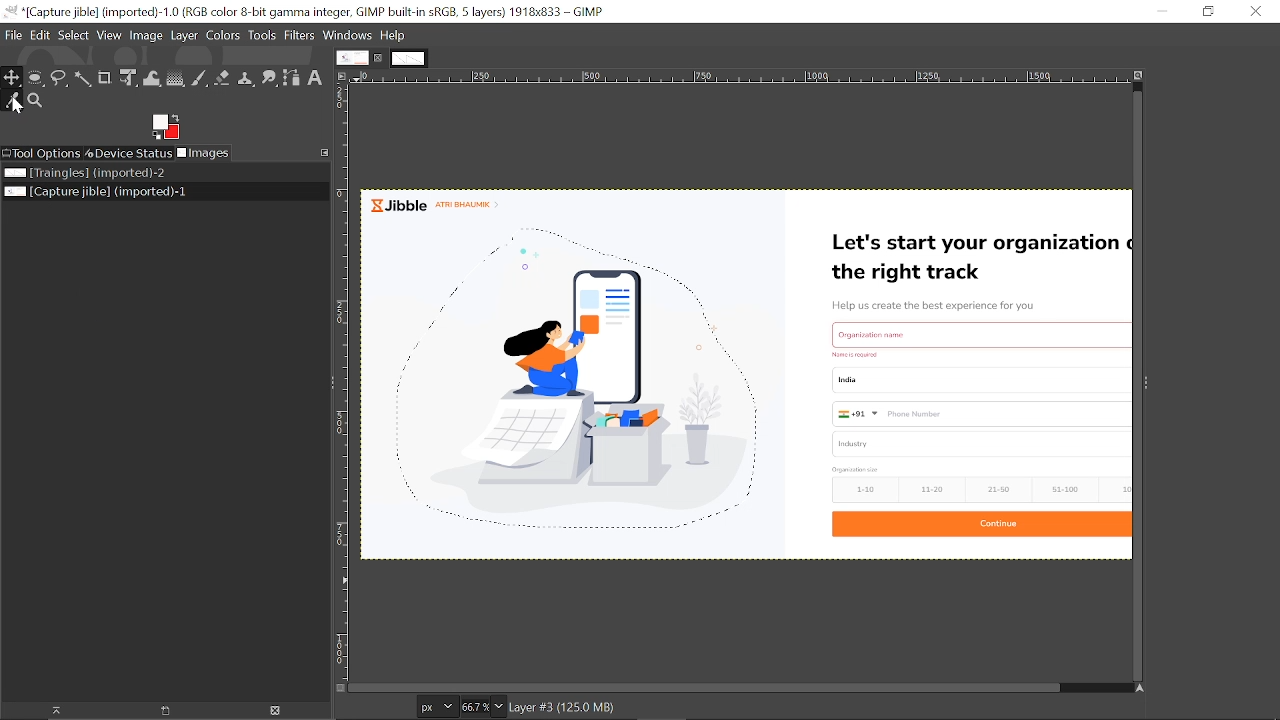 This screenshot has width=1280, height=720. Describe the element at coordinates (737, 77) in the screenshot. I see `Horizontal label` at that location.